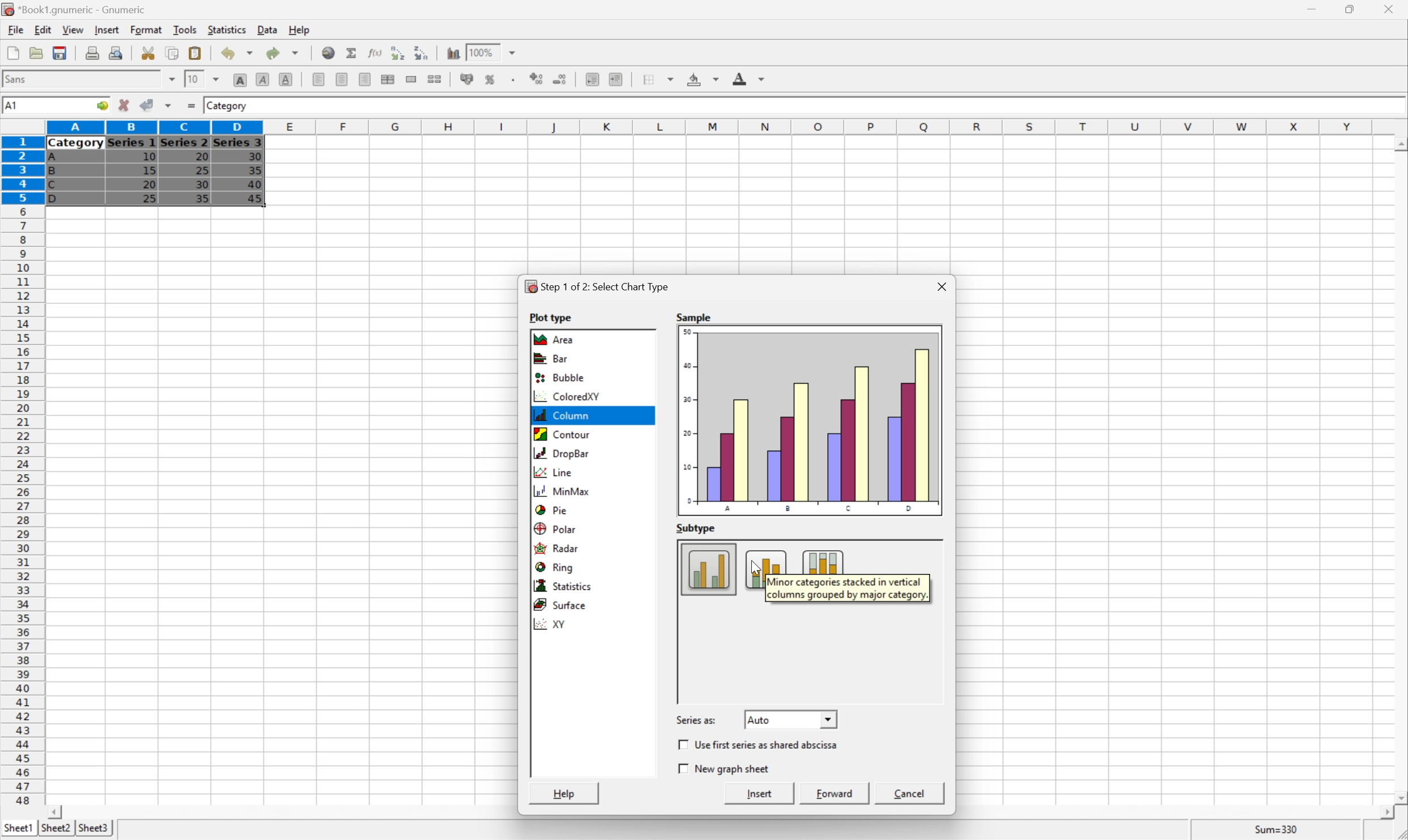 The width and height of the screenshot is (1408, 840). I want to click on Drop Down, so click(172, 79).